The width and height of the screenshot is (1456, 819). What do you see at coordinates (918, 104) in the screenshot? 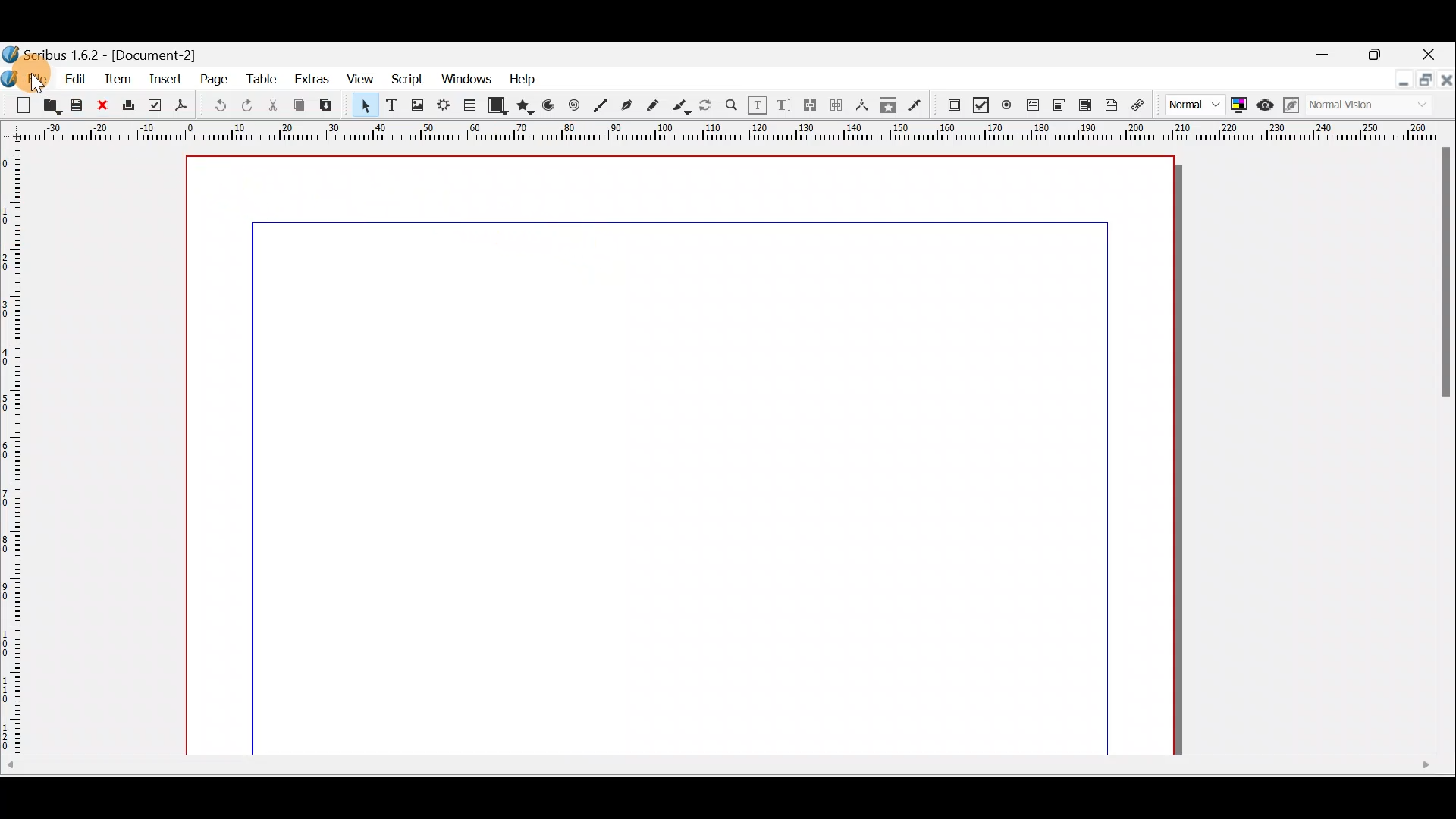
I see `Eye dropper` at bounding box center [918, 104].